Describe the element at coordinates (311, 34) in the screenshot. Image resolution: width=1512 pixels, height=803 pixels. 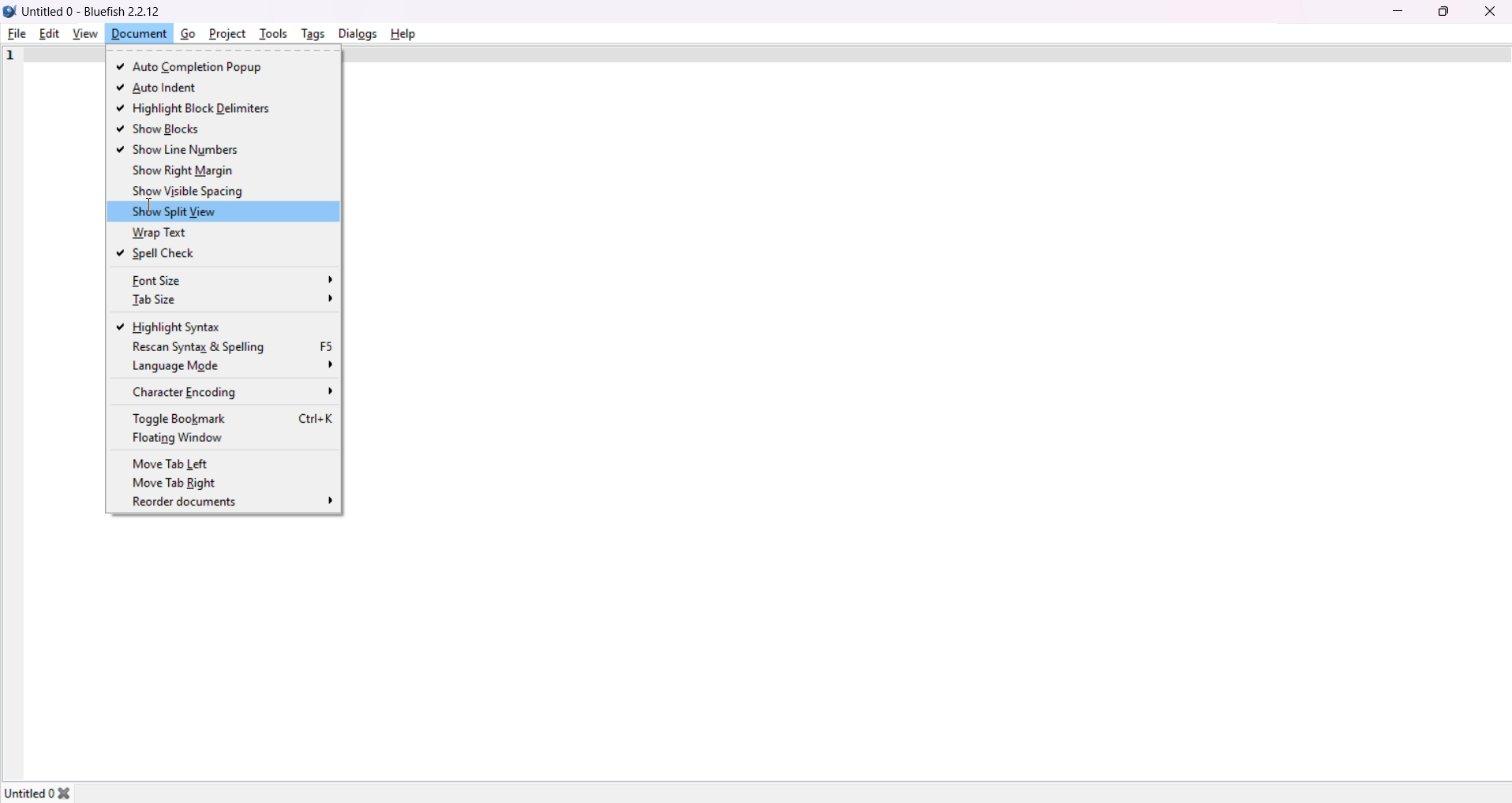
I see `tags` at that location.